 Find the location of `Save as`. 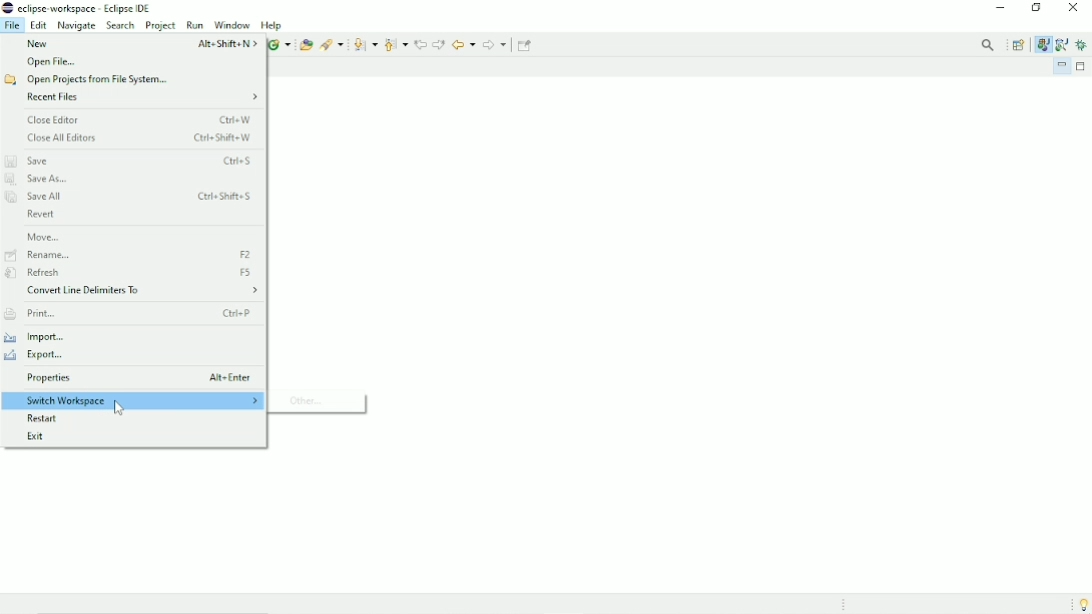

Save as is located at coordinates (42, 180).